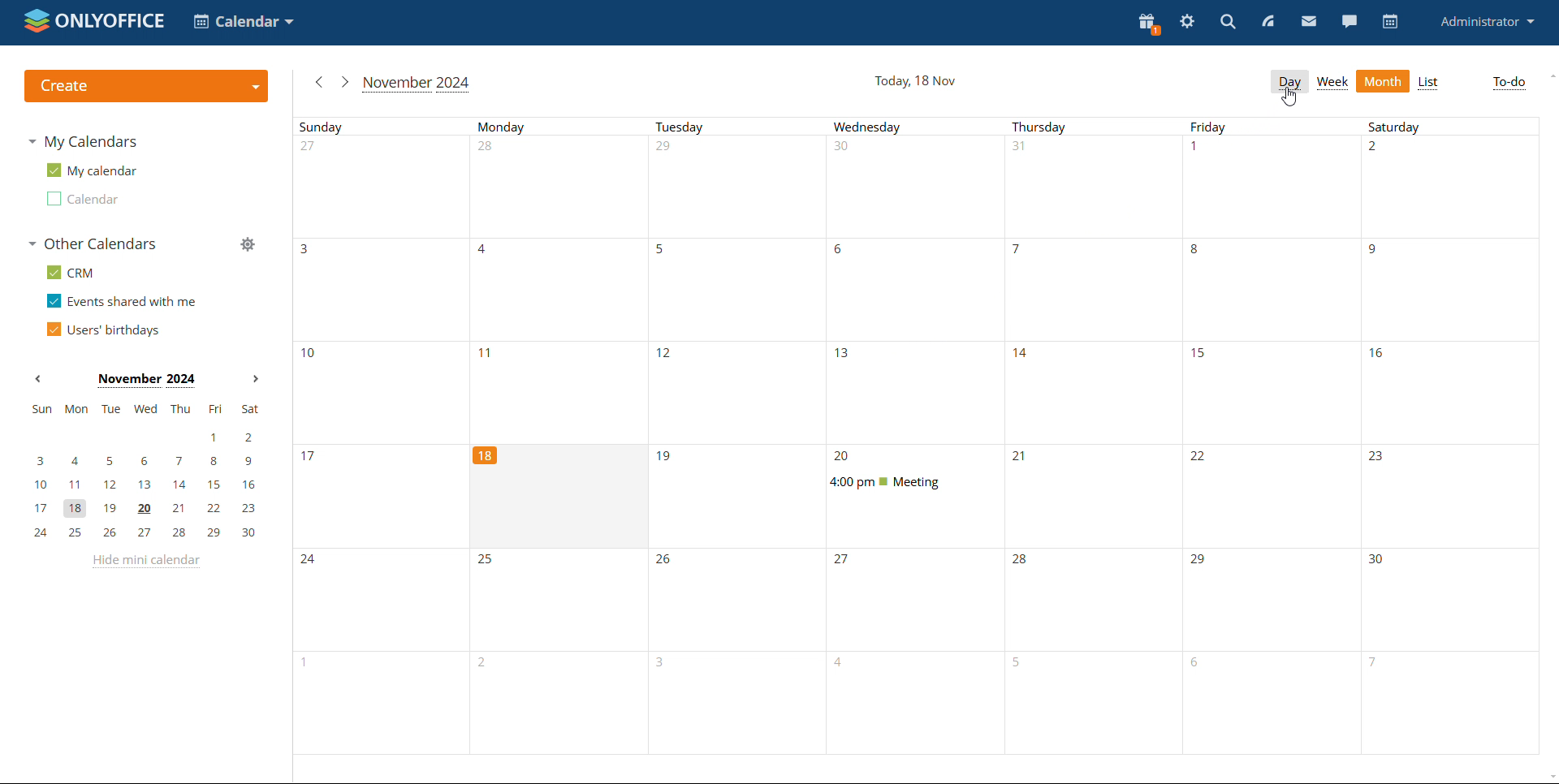 The image size is (1559, 784). Describe the element at coordinates (563, 290) in the screenshot. I see `Monday` at that location.